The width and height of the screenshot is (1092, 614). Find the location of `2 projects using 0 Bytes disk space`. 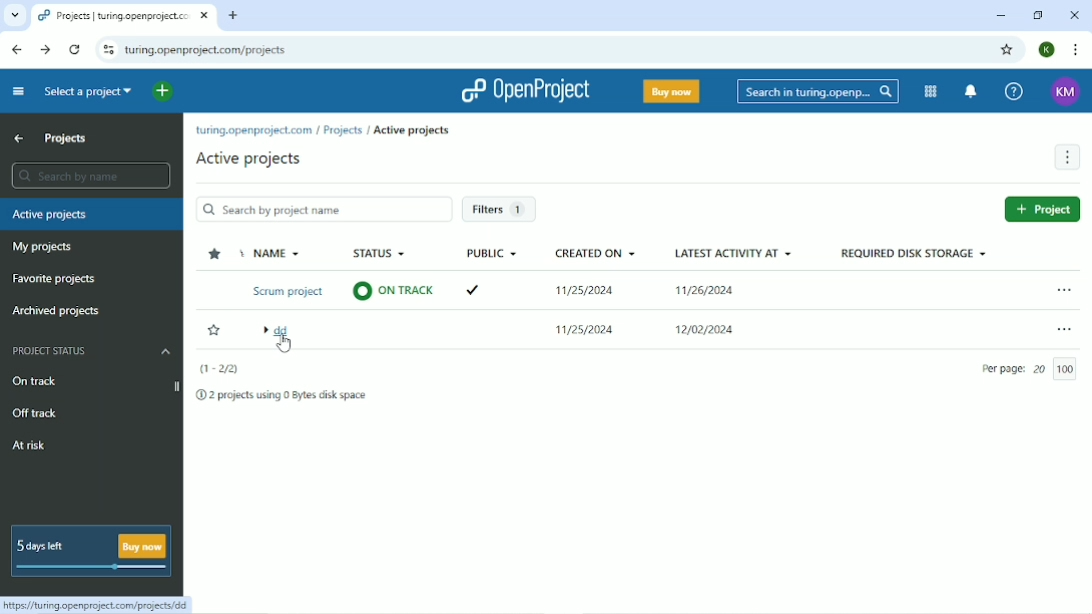

2 projects using 0 Bytes disk space is located at coordinates (280, 396).